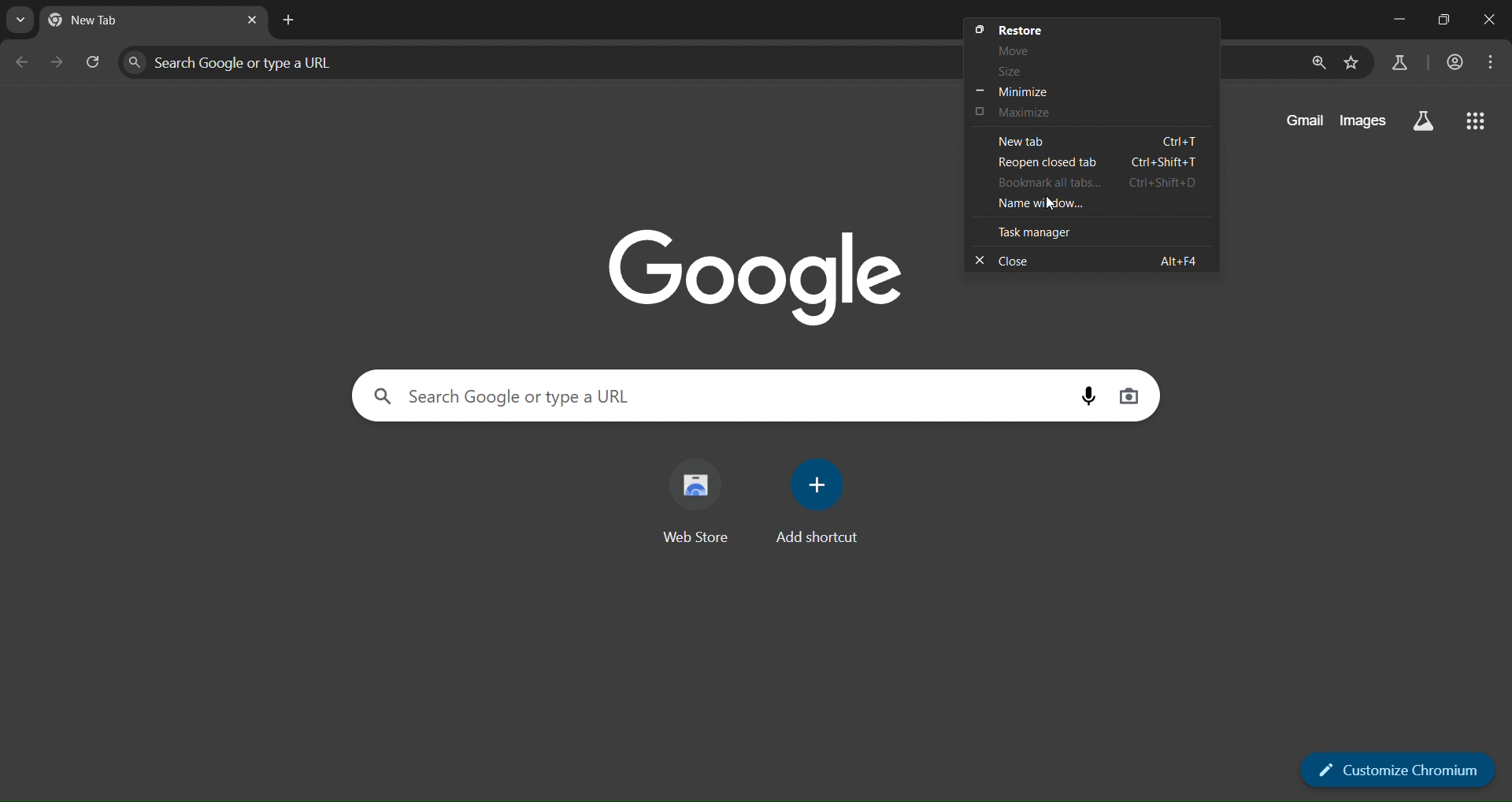 This screenshot has height=802, width=1512. What do you see at coordinates (500, 395) in the screenshot?
I see `Search Google or type a URL` at bounding box center [500, 395].